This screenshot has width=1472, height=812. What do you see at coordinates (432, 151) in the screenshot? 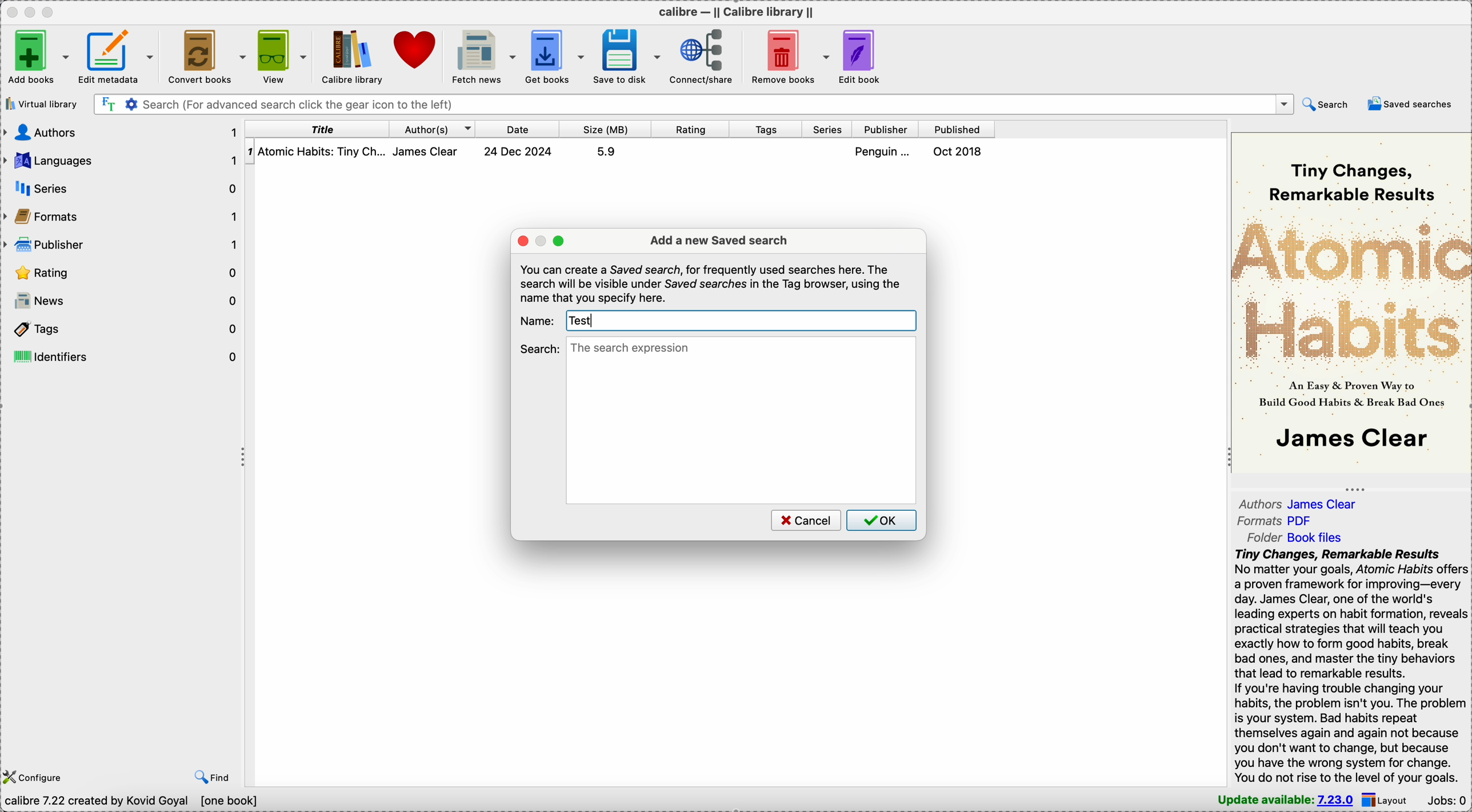
I see `james clear` at bounding box center [432, 151].